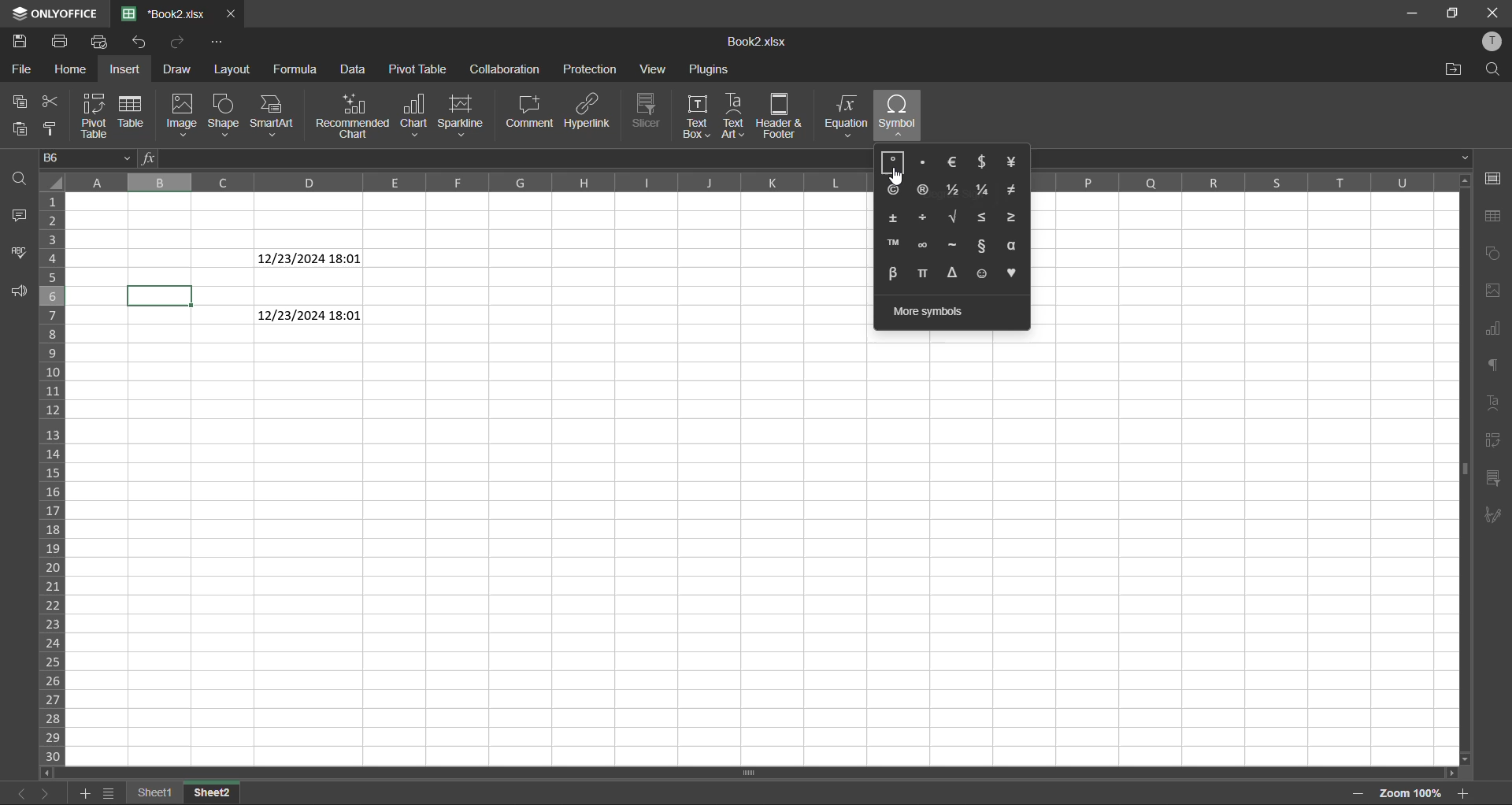 The height and width of the screenshot is (805, 1512). I want to click on trade mark sign, so click(893, 244).